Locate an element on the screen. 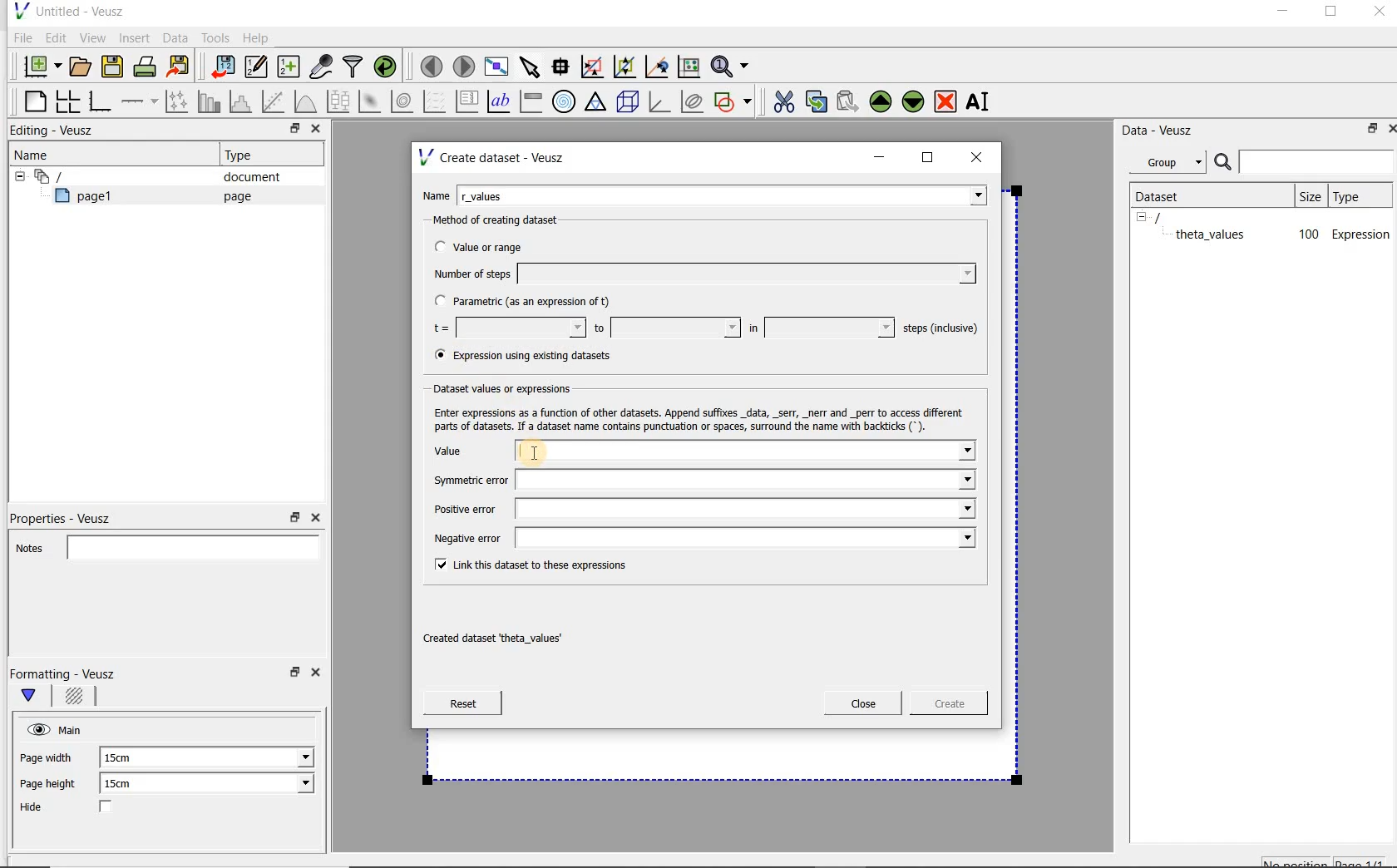  plot key is located at coordinates (468, 101).